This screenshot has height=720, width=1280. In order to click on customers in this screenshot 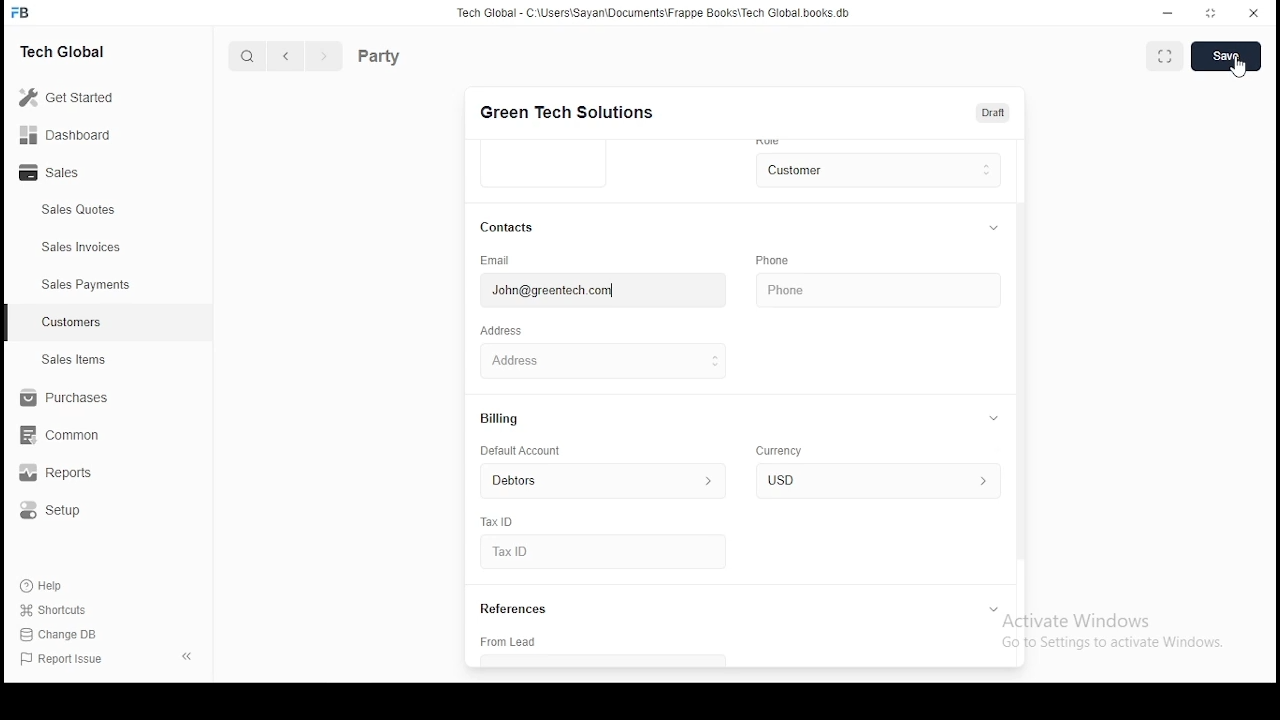, I will do `click(72, 323)`.